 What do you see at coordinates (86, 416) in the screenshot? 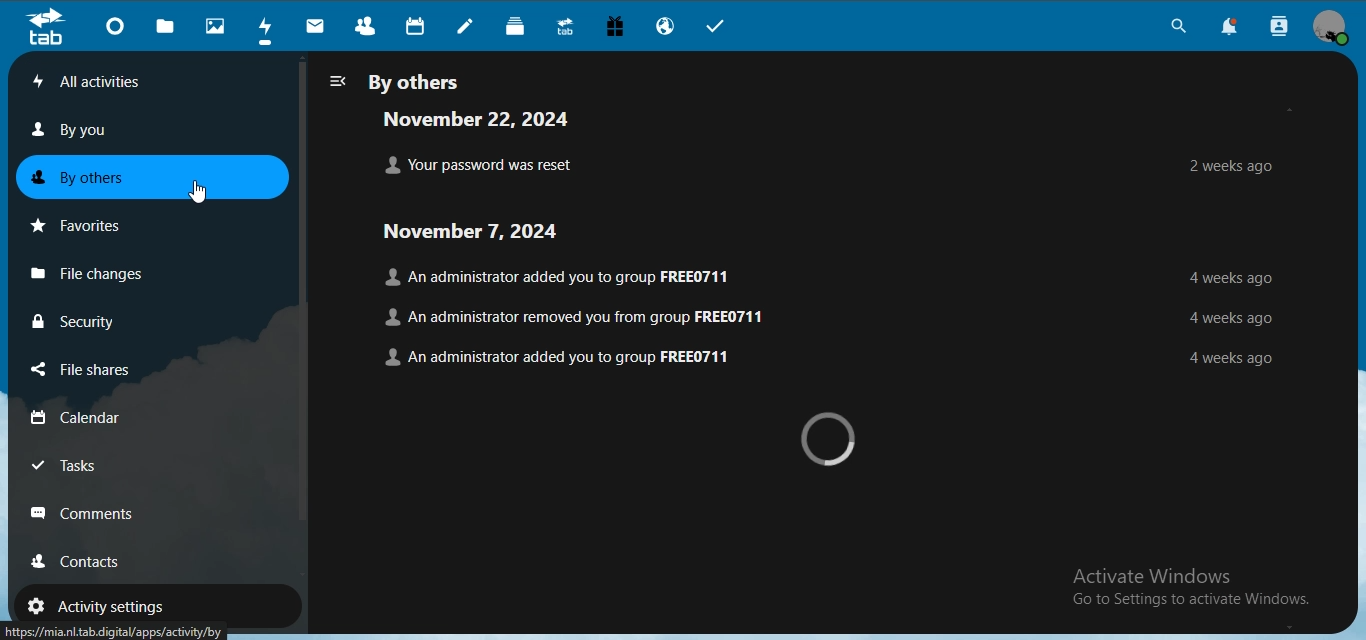
I see `calendar` at bounding box center [86, 416].